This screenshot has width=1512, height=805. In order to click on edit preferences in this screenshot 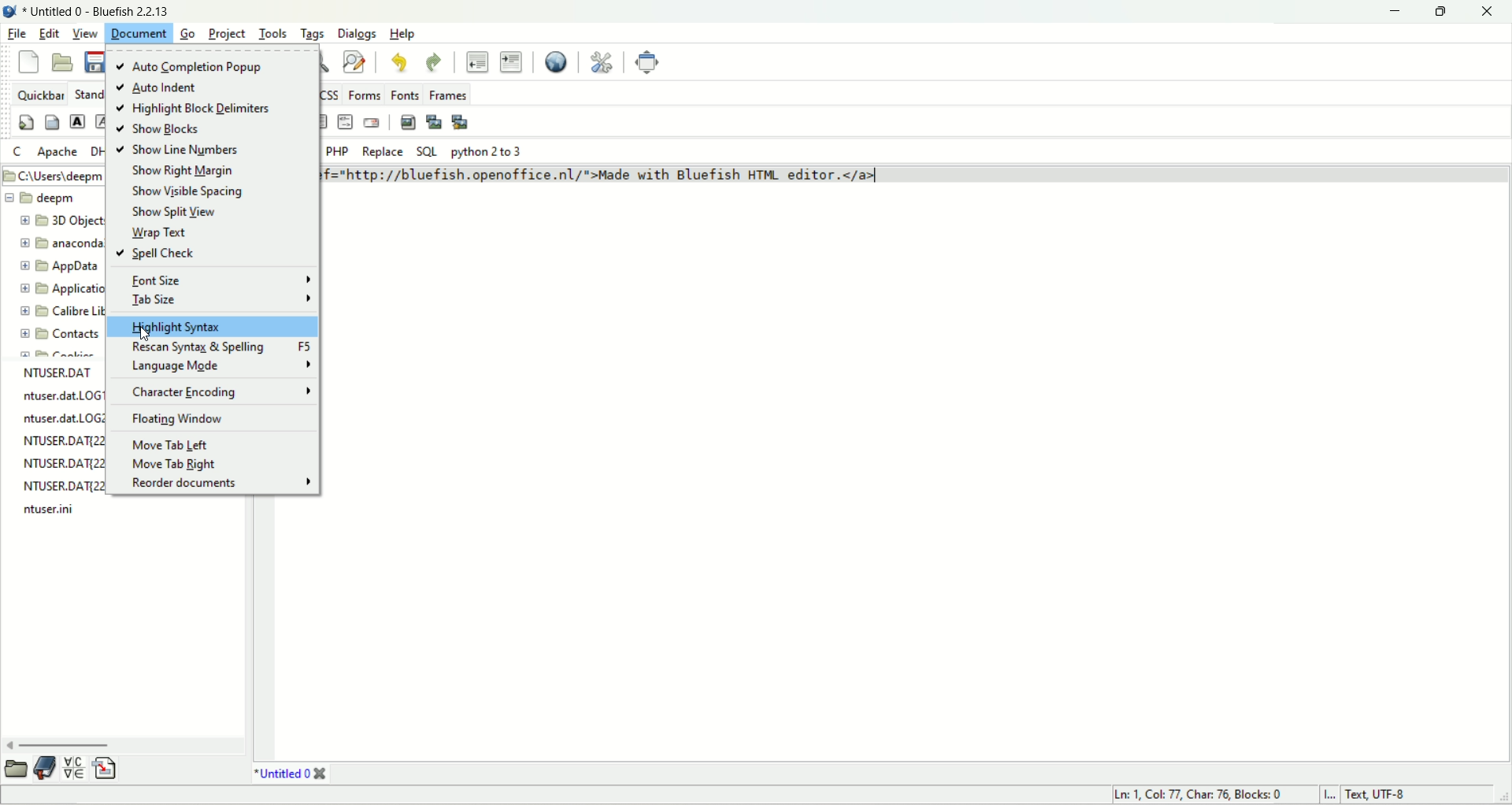, I will do `click(603, 62)`.